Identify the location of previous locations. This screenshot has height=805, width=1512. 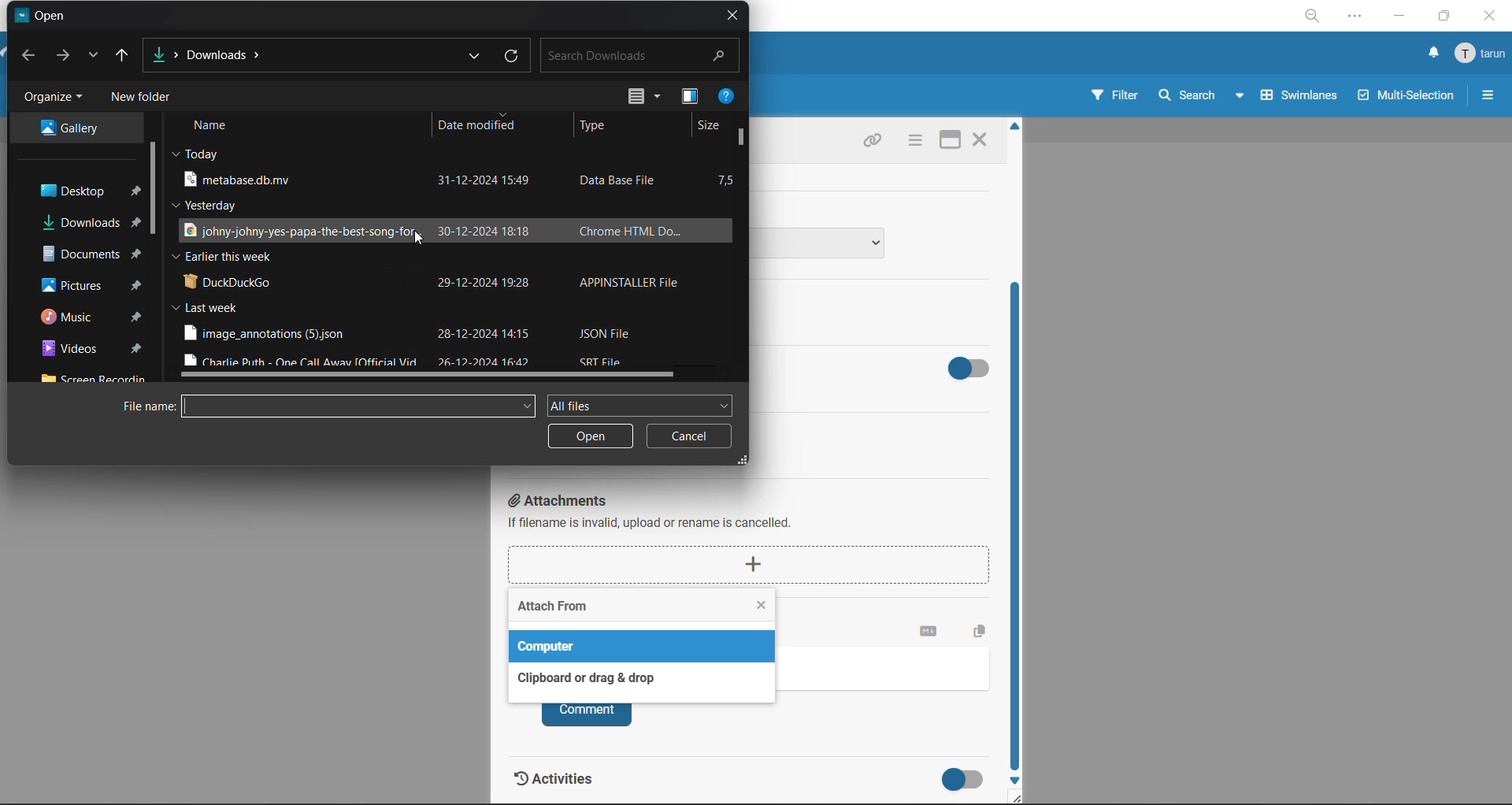
(475, 54).